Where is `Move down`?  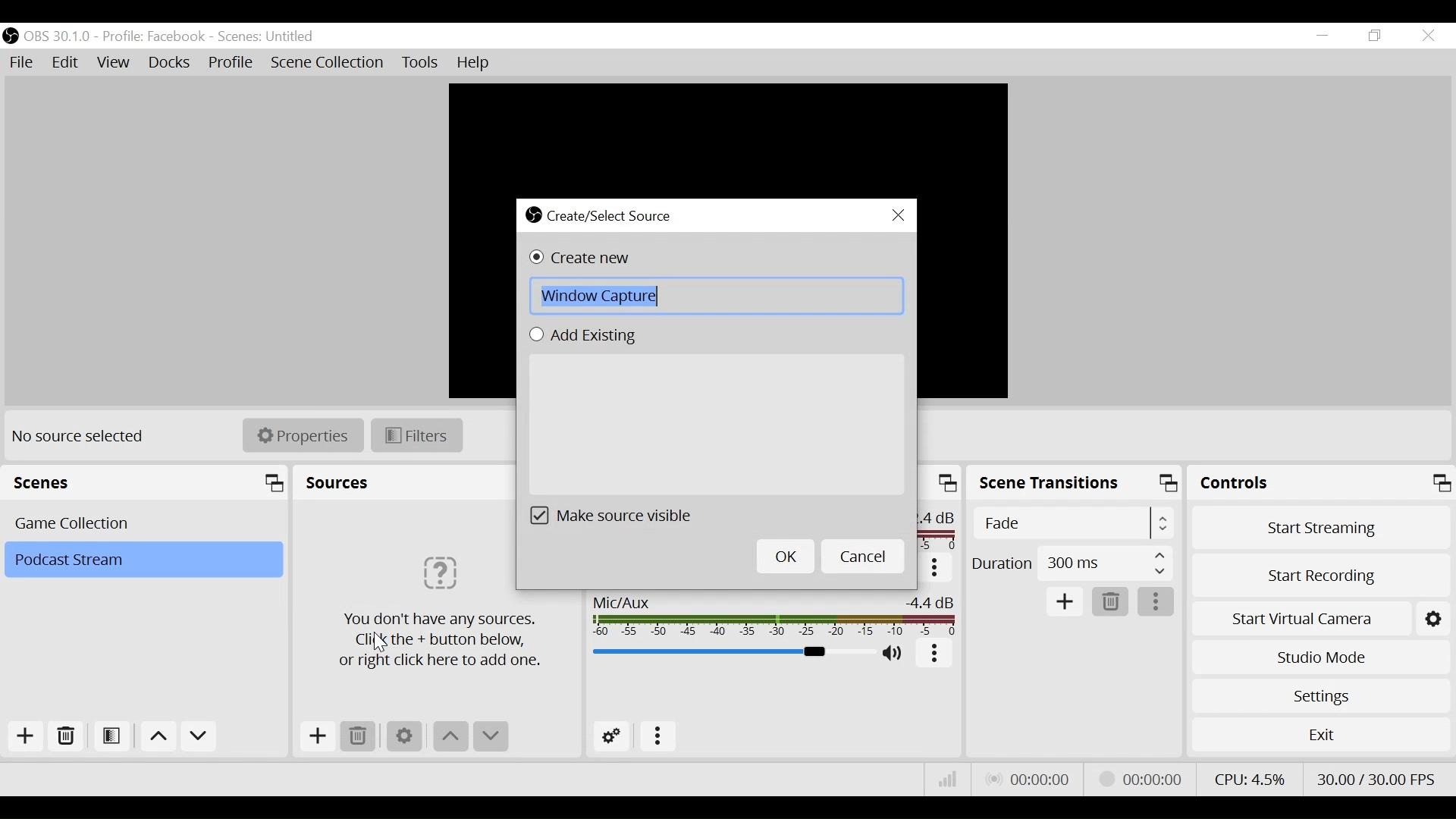 Move down is located at coordinates (197, 739).